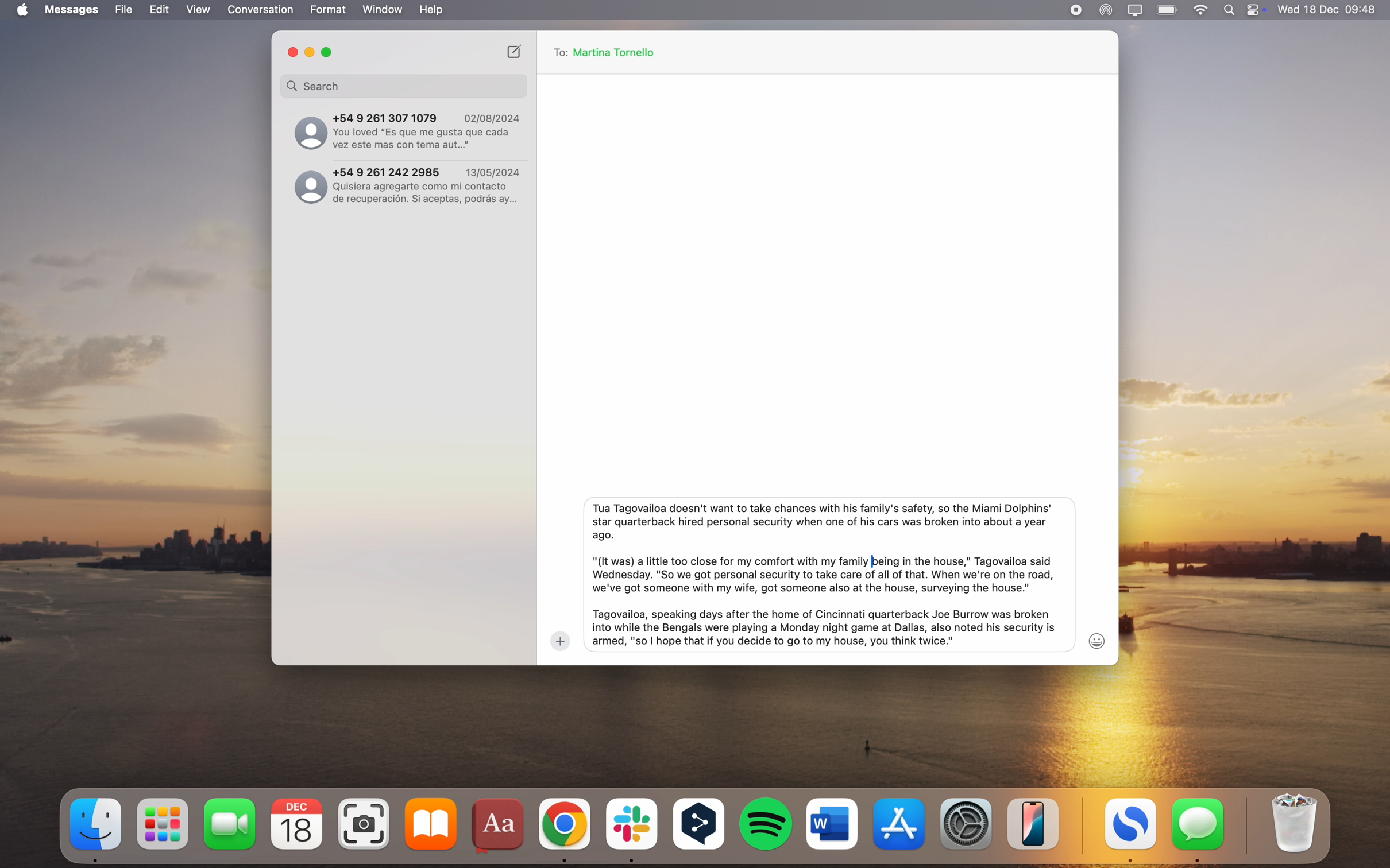 Image resolution: width=1390 pixels, height=868 pixels. Describe the element at coordinates (1098, 641) in the screenshot. I see `emojis` at that location.